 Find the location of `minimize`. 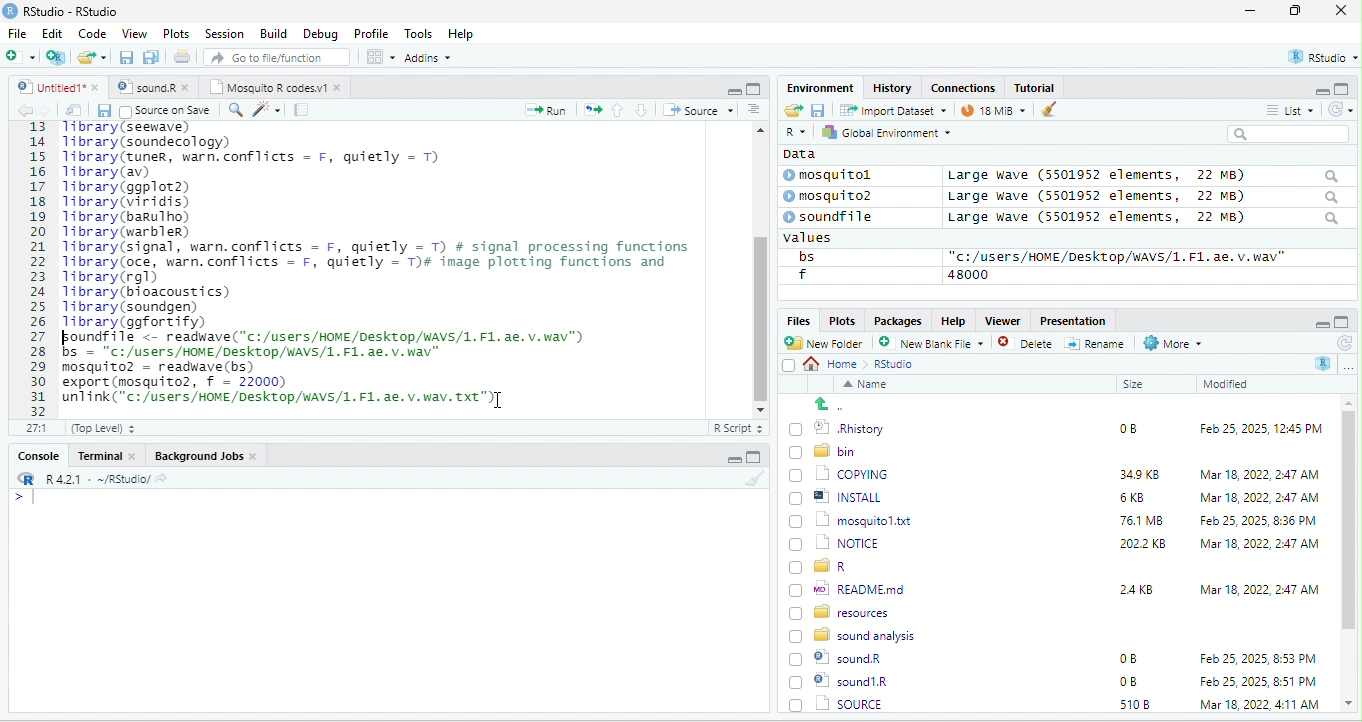

minimize is located at coordinates (733, 90).